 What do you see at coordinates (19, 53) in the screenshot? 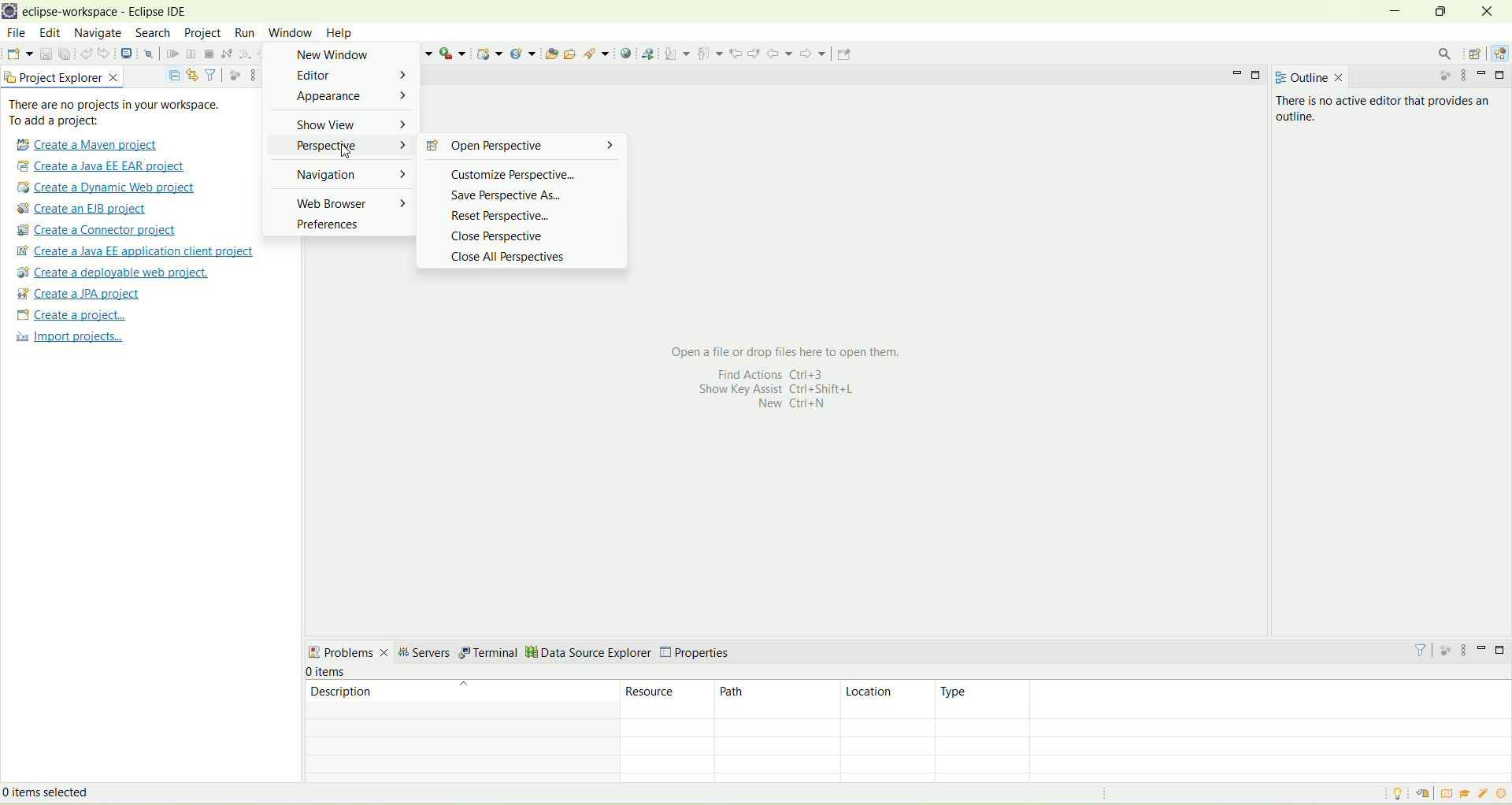
I see `new` at bounding box center [19, 53].